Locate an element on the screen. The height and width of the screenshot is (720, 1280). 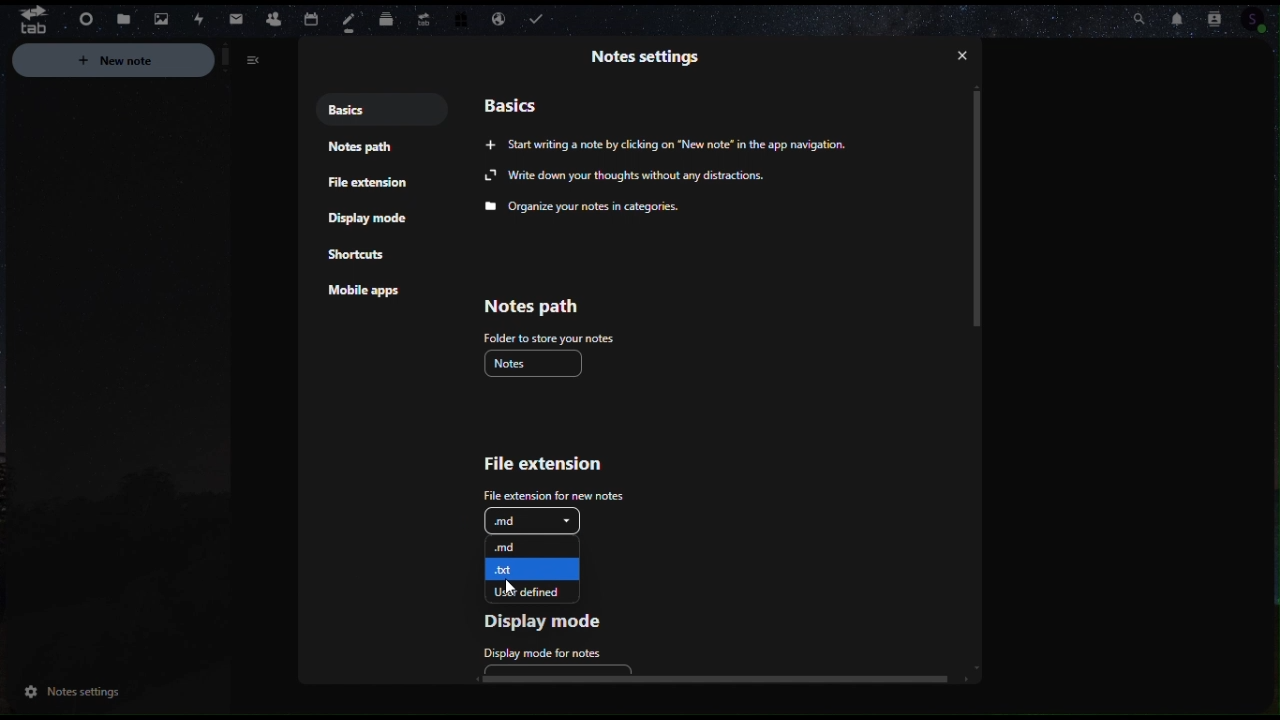
Notifications is located at coordinates (1182, 20).